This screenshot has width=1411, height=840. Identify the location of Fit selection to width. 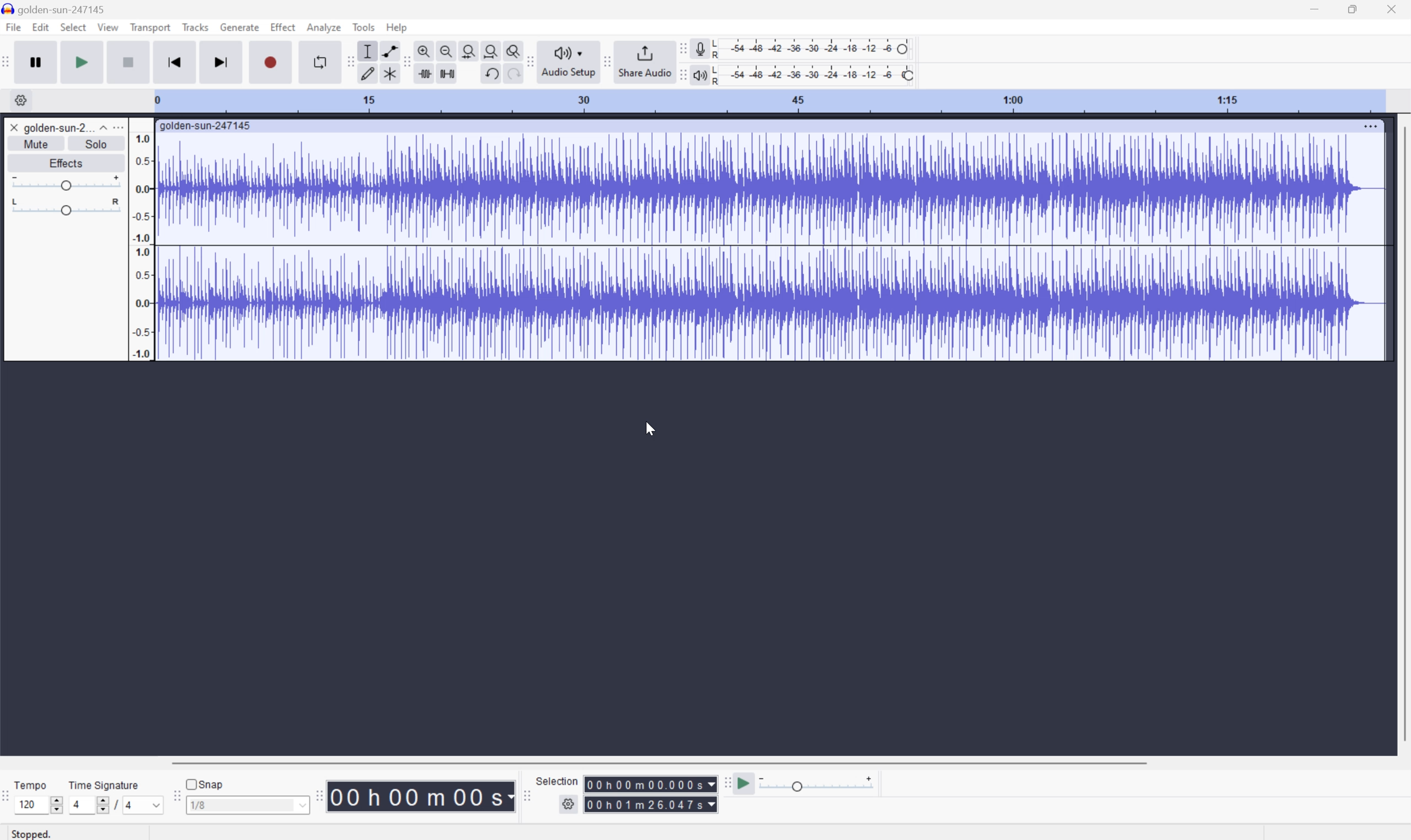
(469, 49).